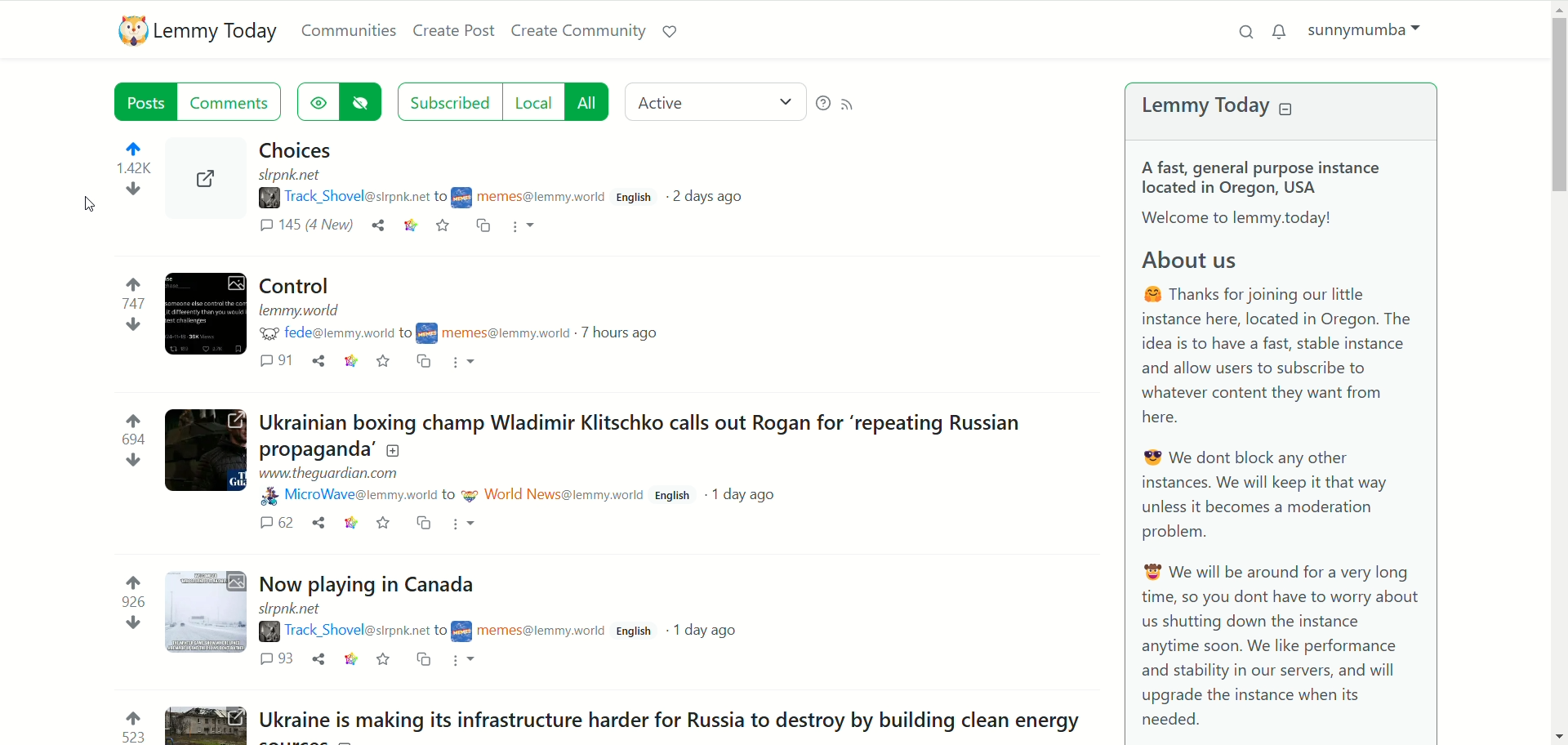 Image resolution: width=1568 pixels, height=745 pixels. What do you see at coordinates (387, 661) in the screenshot?
I see `save` at bounding box center [387, 661].